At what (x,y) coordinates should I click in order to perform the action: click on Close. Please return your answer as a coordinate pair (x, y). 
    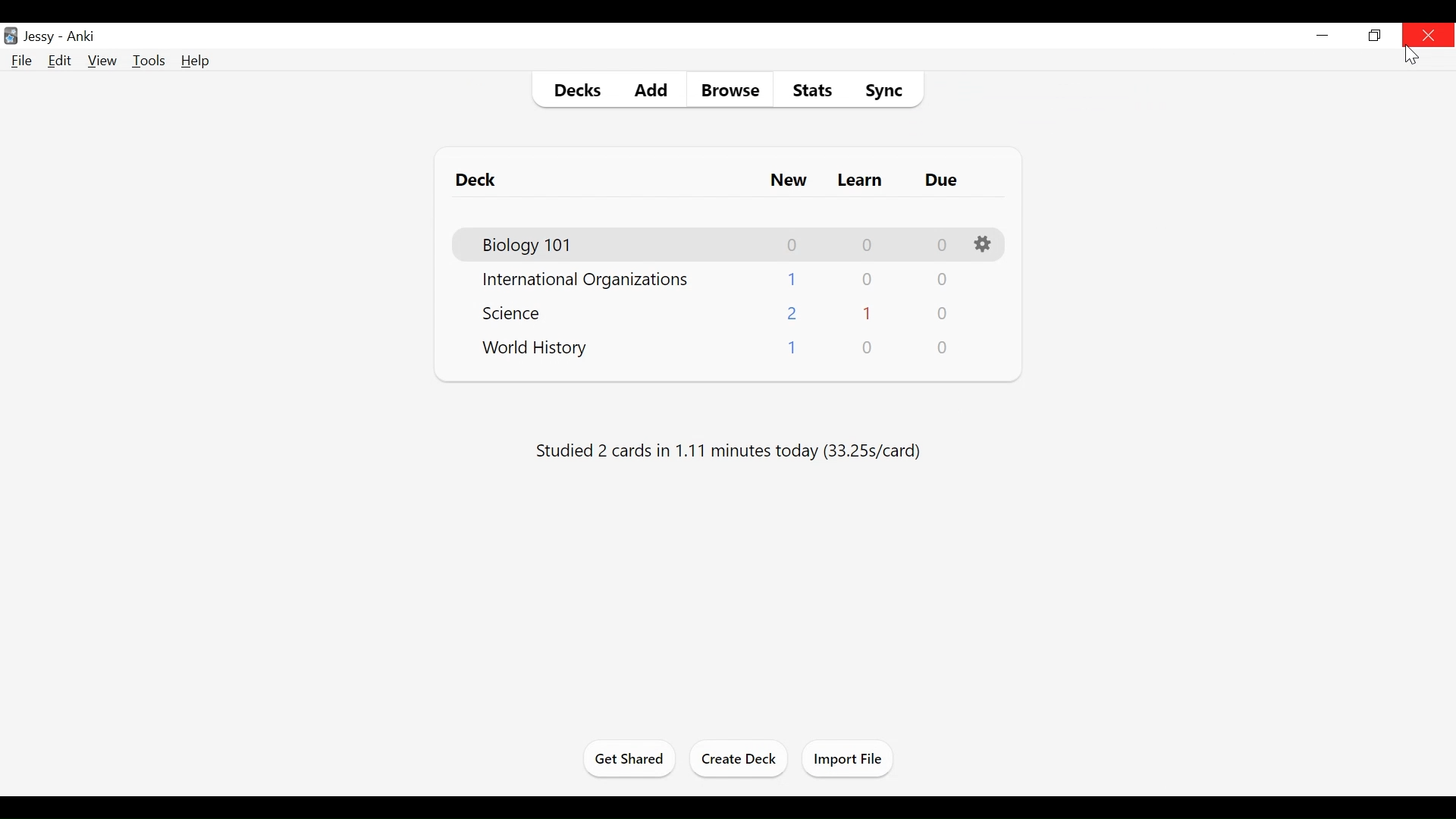
    Looking at the image, I should click on (1429, 35).